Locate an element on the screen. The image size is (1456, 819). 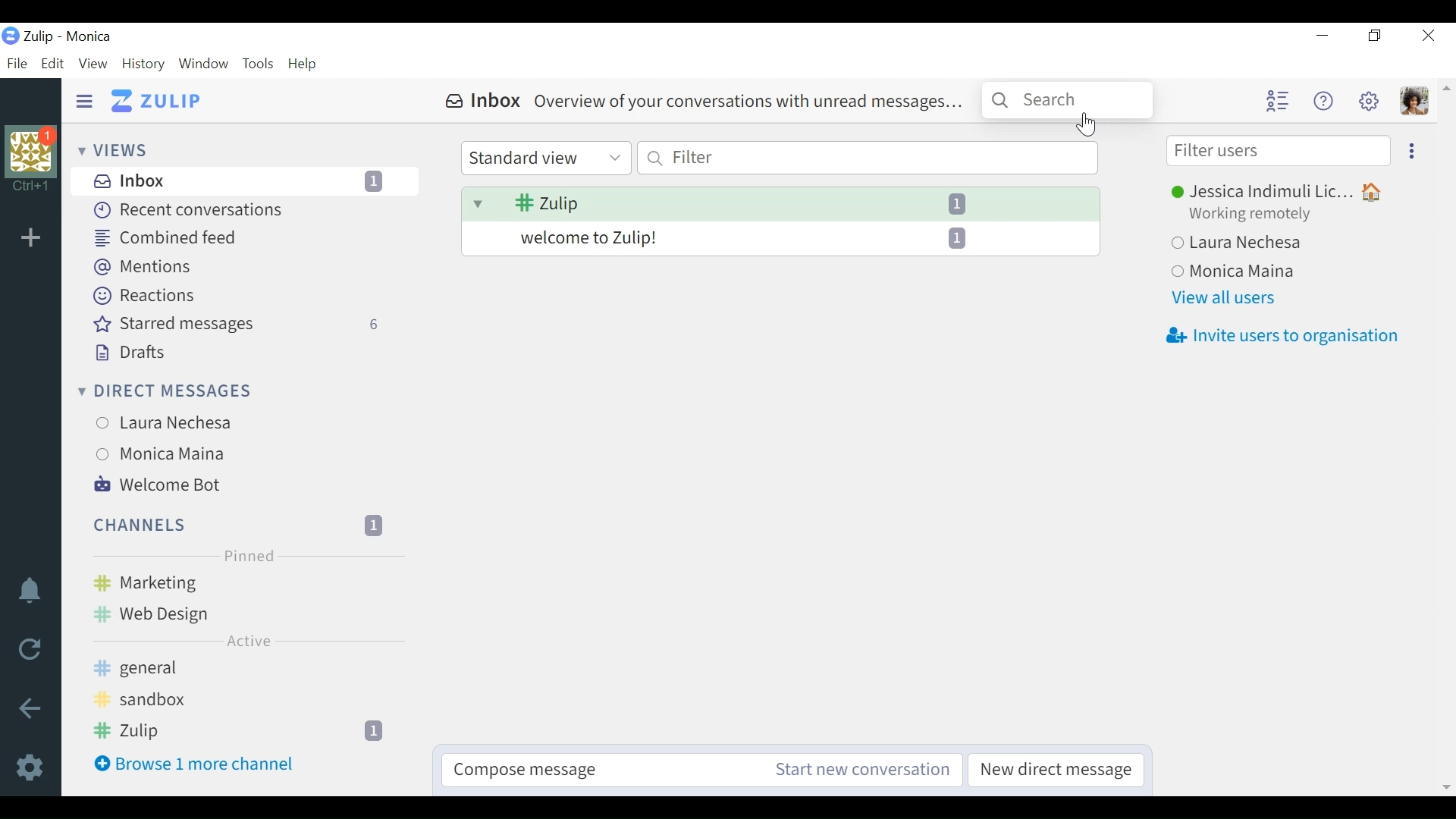
Active is located at coordinates (252, 643).